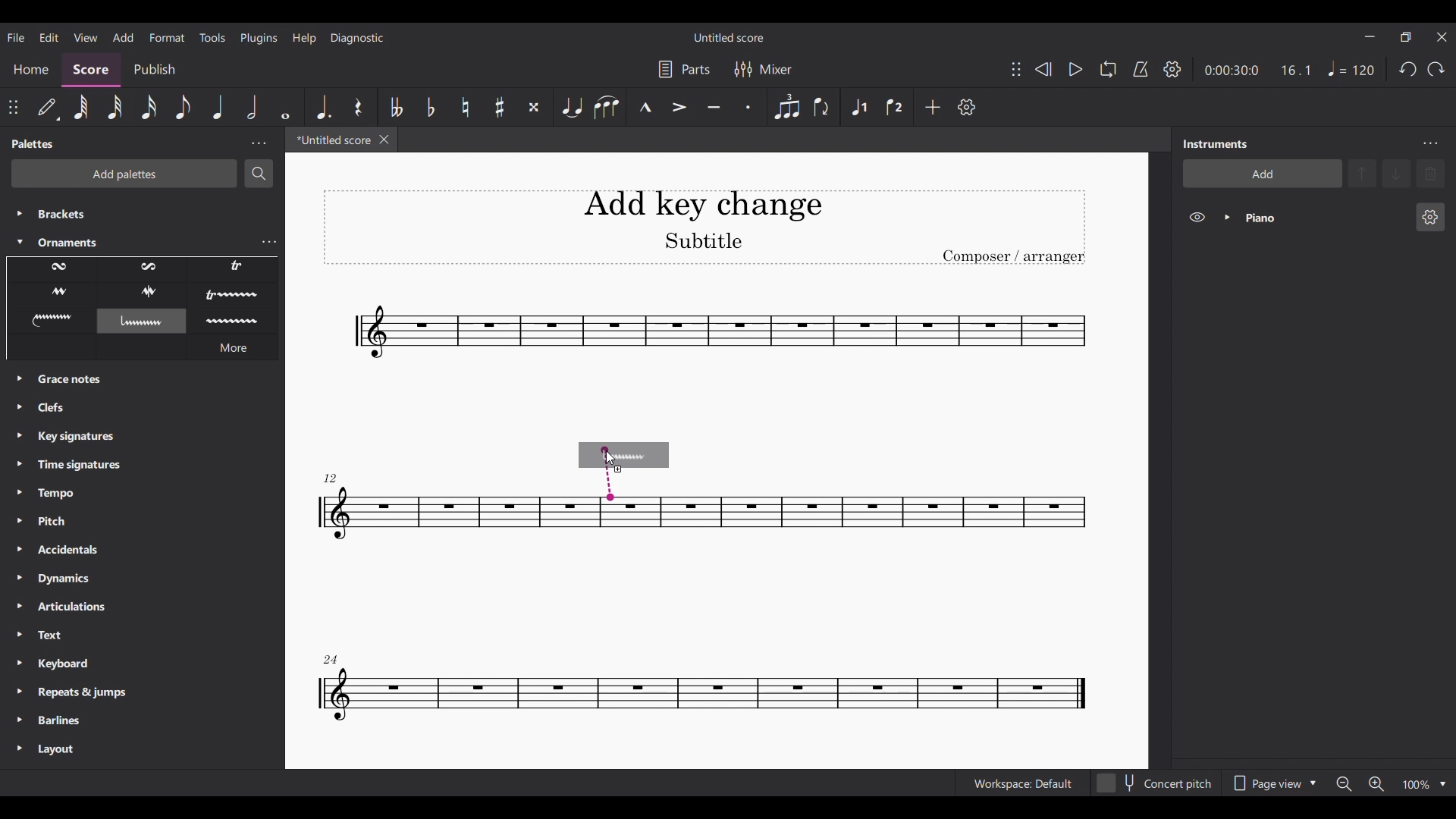 Image resolution: width=1456 pixels, height=819 pixels. I want to click on Format menu, so click(168, 37).